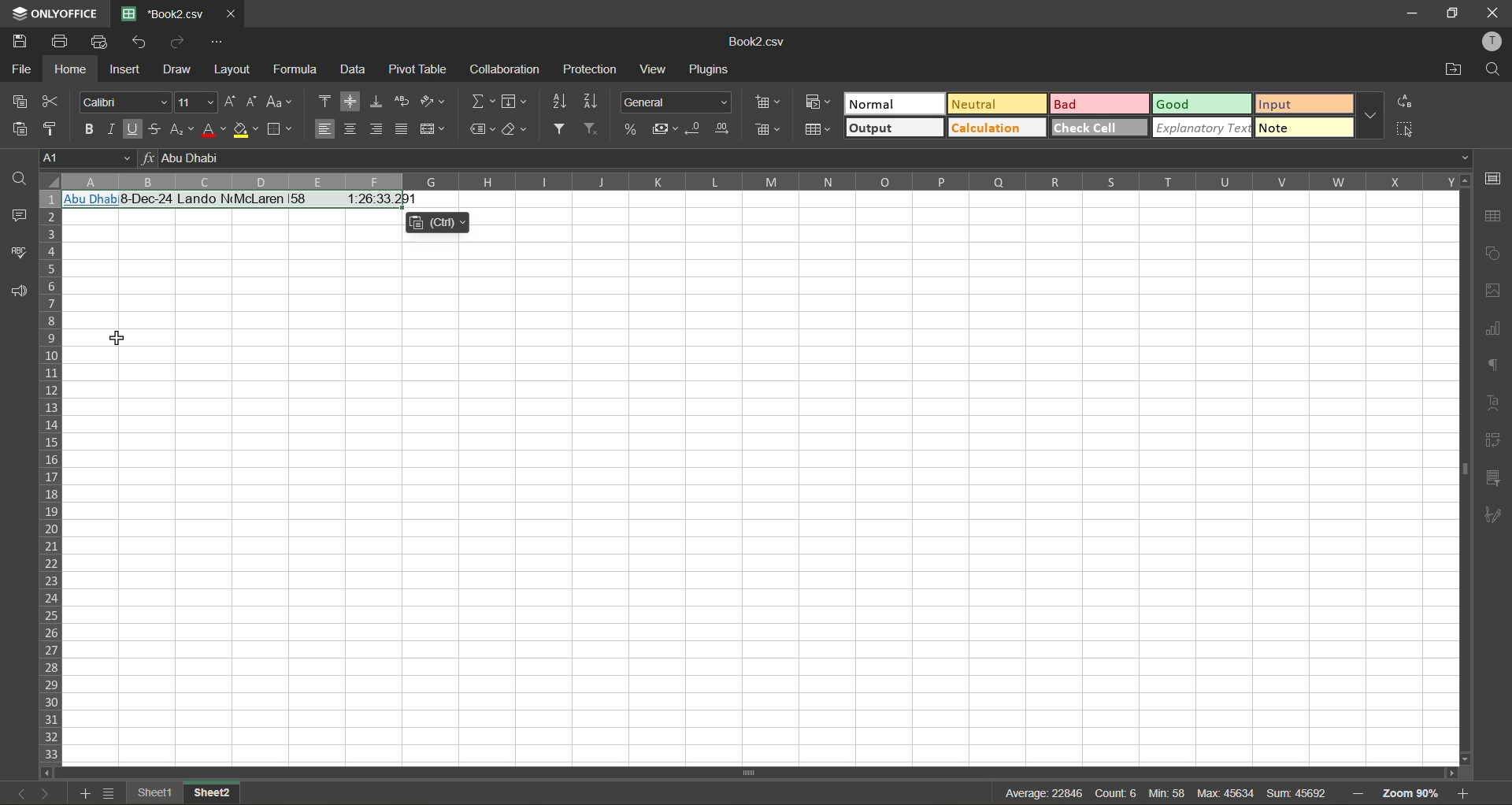 Image resolution: width=1512 pixels, height=805 pixels. I want to click on print, so click(59, 40).